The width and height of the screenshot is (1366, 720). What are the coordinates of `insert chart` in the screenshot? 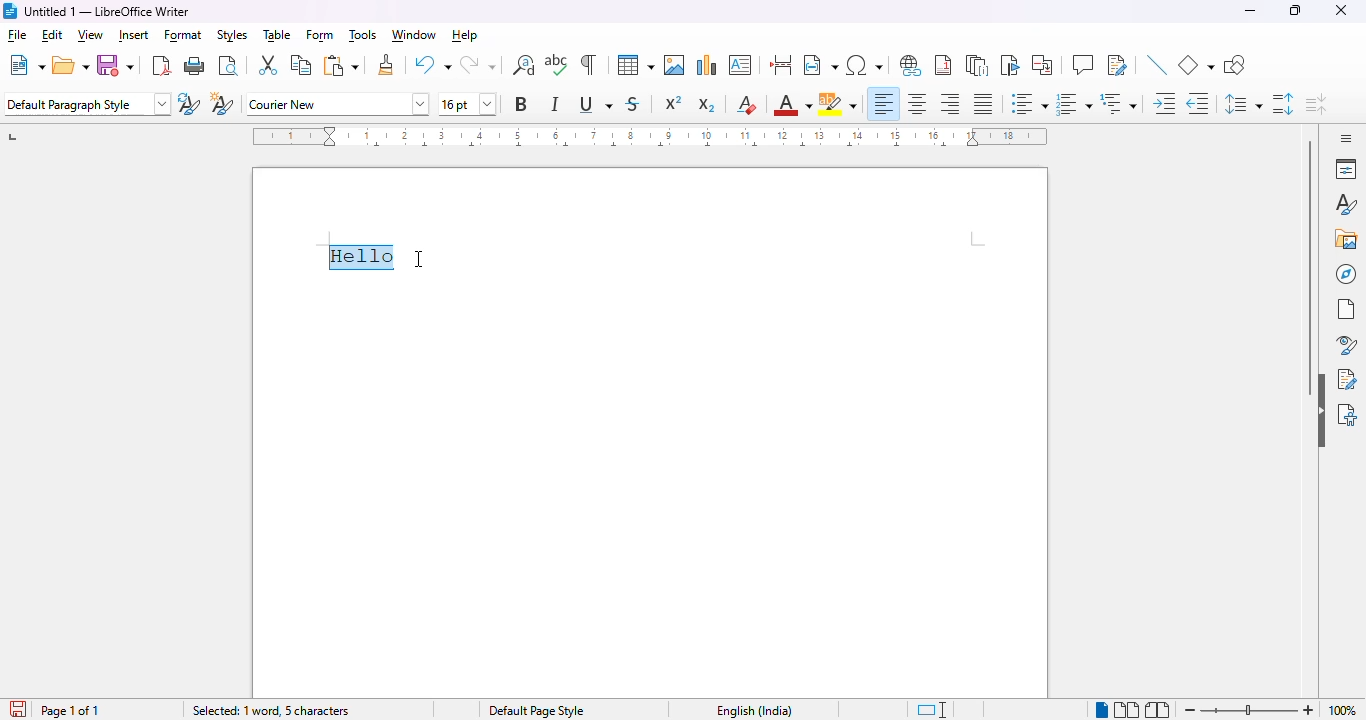 It's located at (707, 64).